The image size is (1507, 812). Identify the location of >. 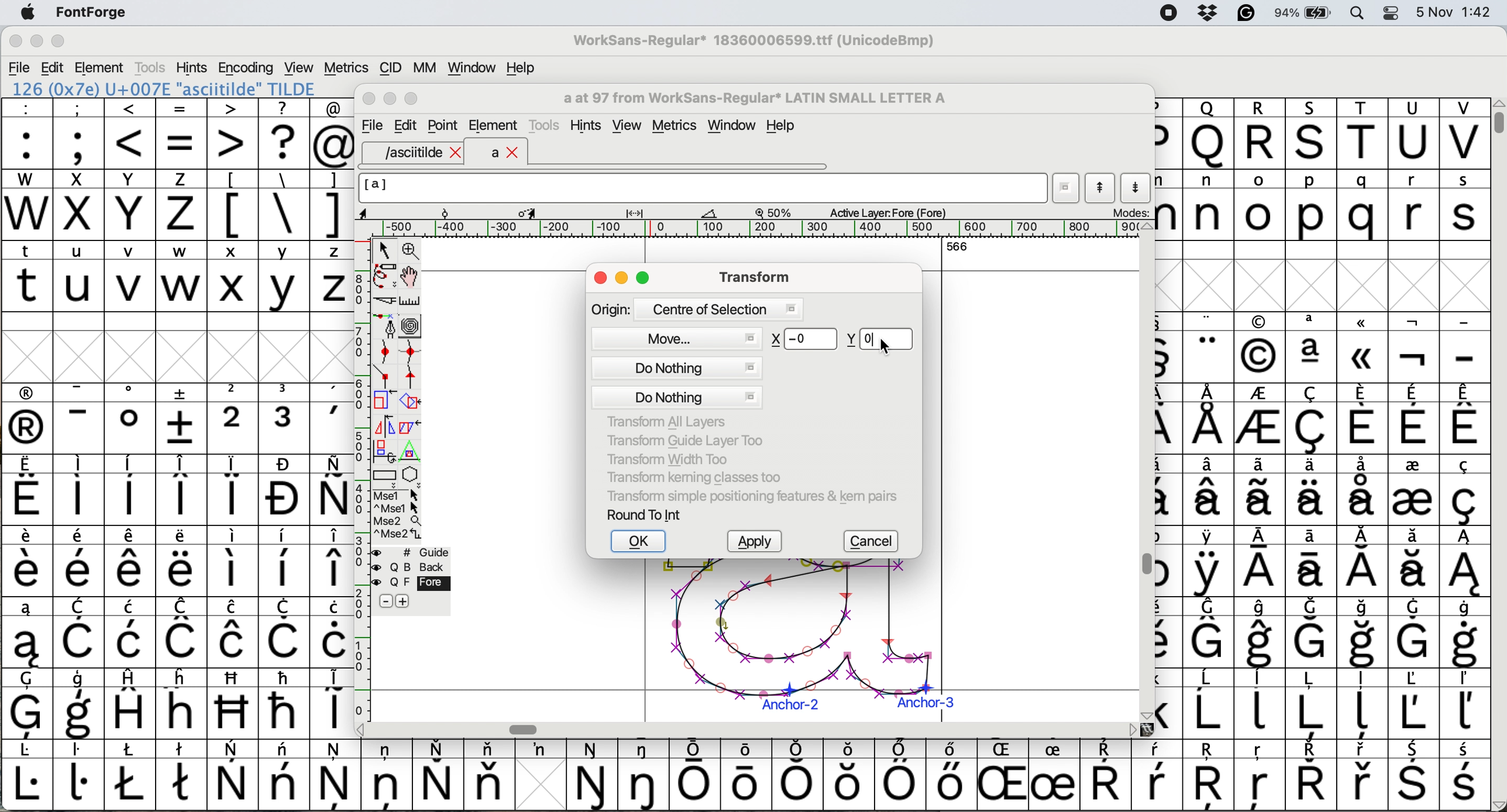
(233, 133).